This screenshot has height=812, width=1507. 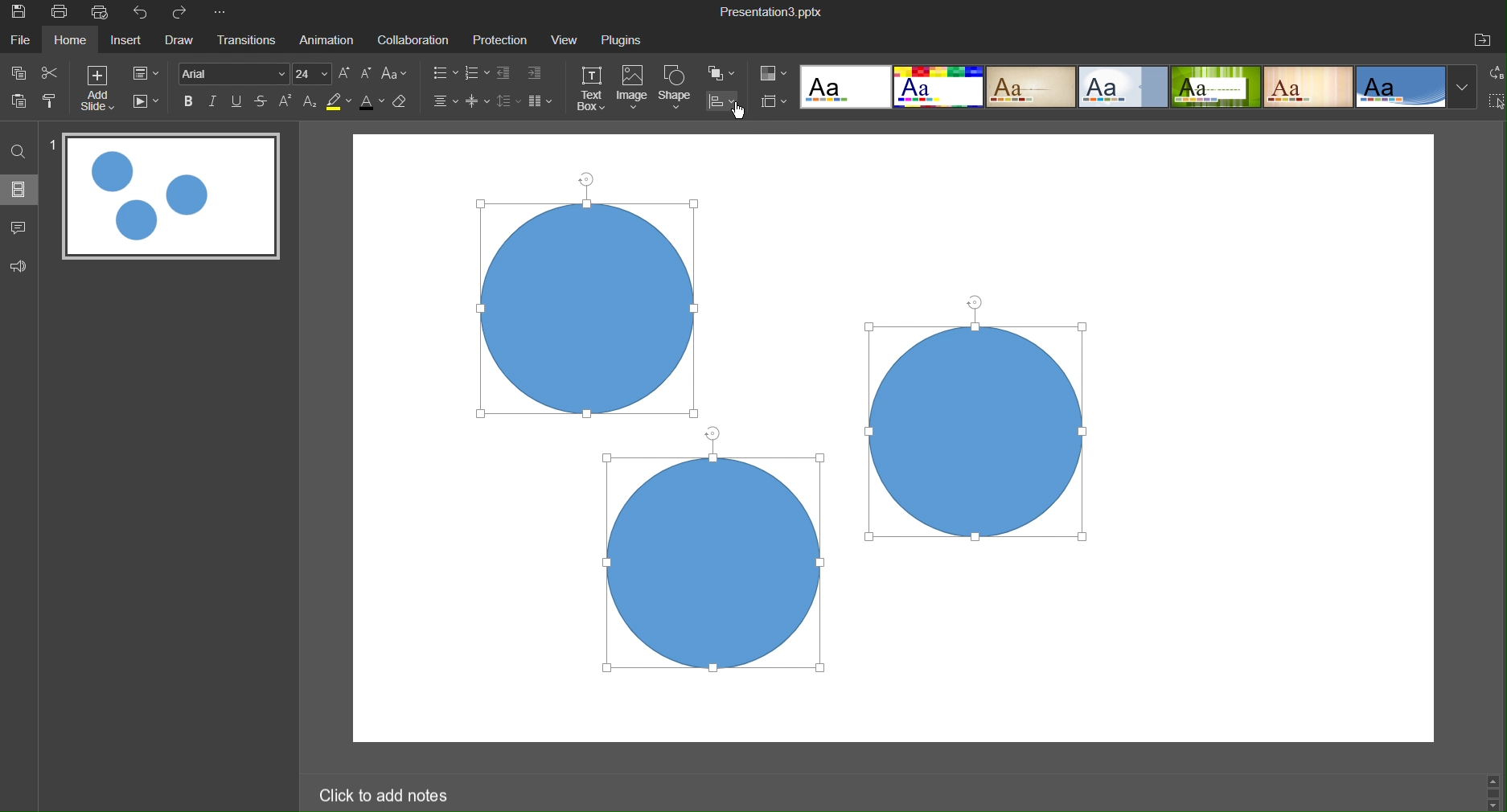 What do you see at coordinates (1494, 806) in the screenshot?
I see `Scroll down ` at bounding box center [1494, 806].